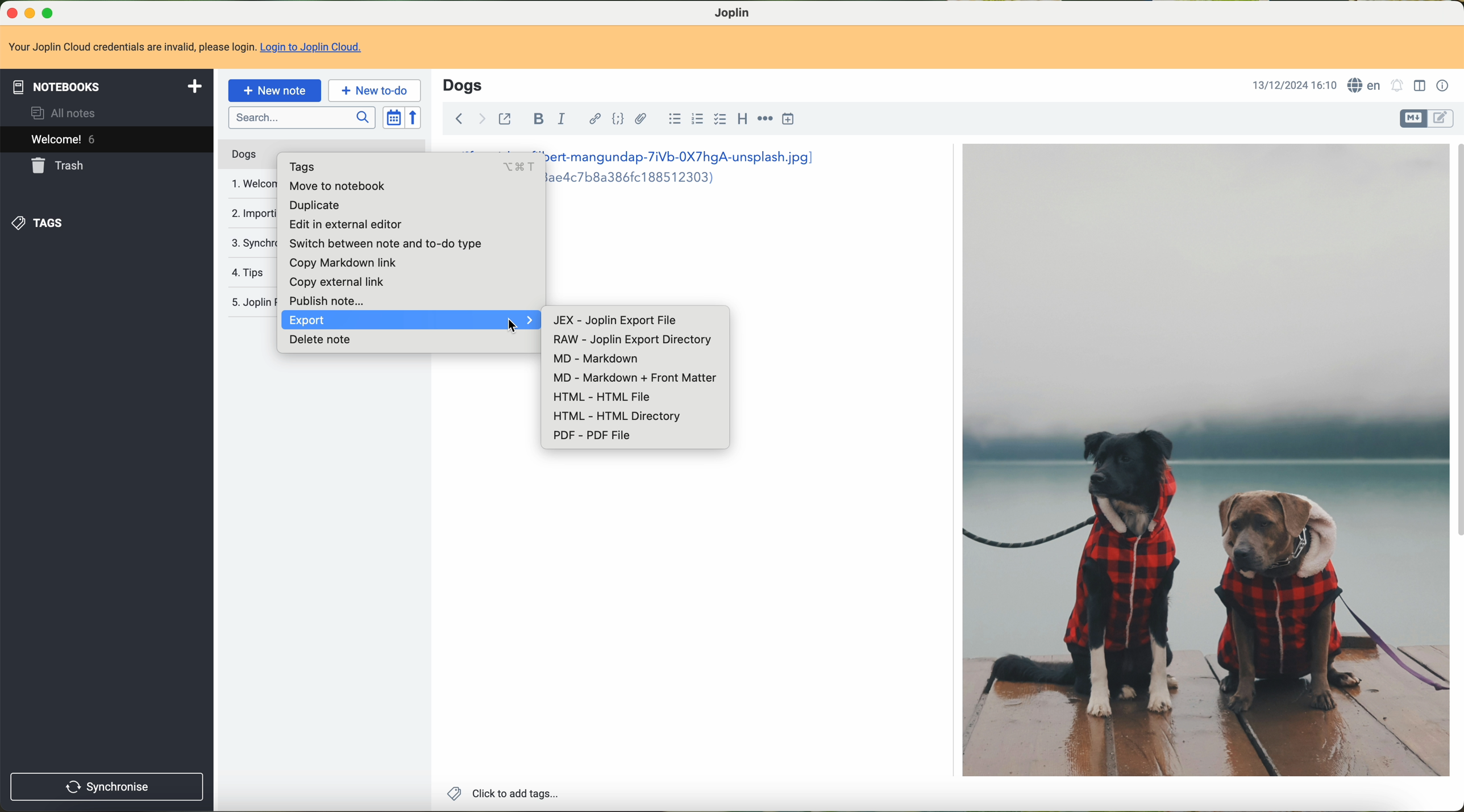 This screenshot has height=812, width=1464. What do you see at coordinates (764, 121) in the screenshot?
I see `horizontal rule` at bounding box center [764, 121].